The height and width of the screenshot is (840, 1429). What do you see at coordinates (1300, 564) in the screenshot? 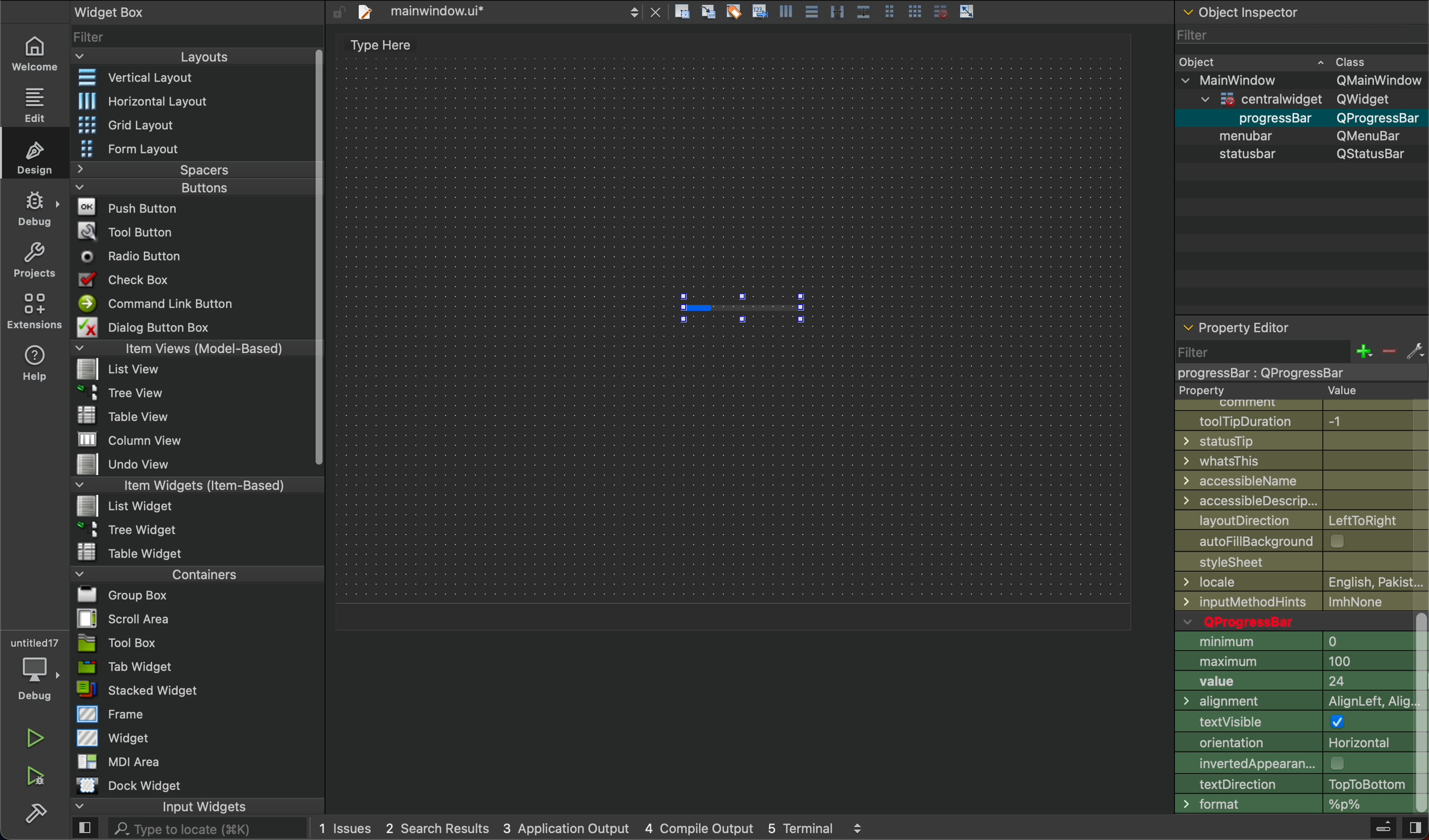
I see `Stylesheet` at bounding box center [1300, 564].